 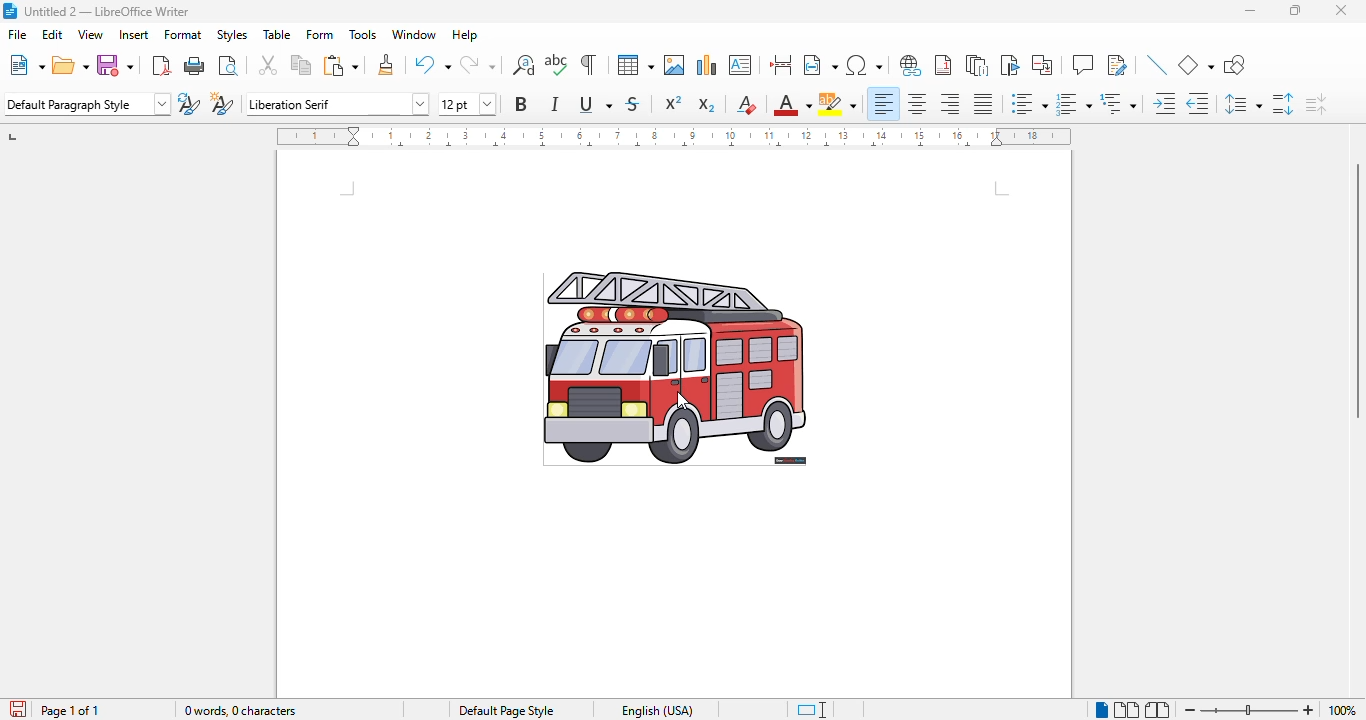 I want to click on set paragraph style, so click(x=87, y=104).